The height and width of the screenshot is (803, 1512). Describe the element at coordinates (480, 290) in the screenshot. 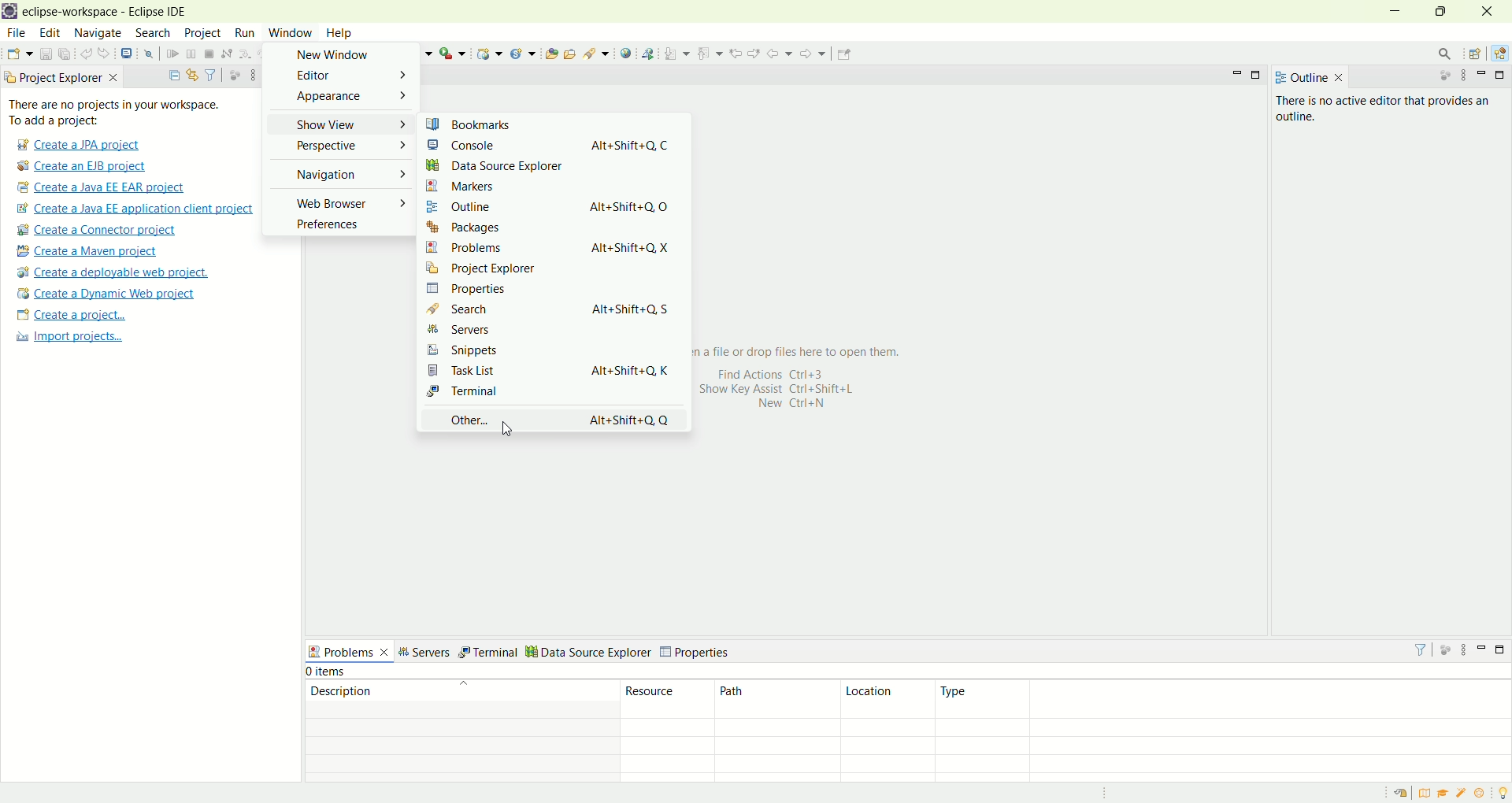

I see `properties` at that location.